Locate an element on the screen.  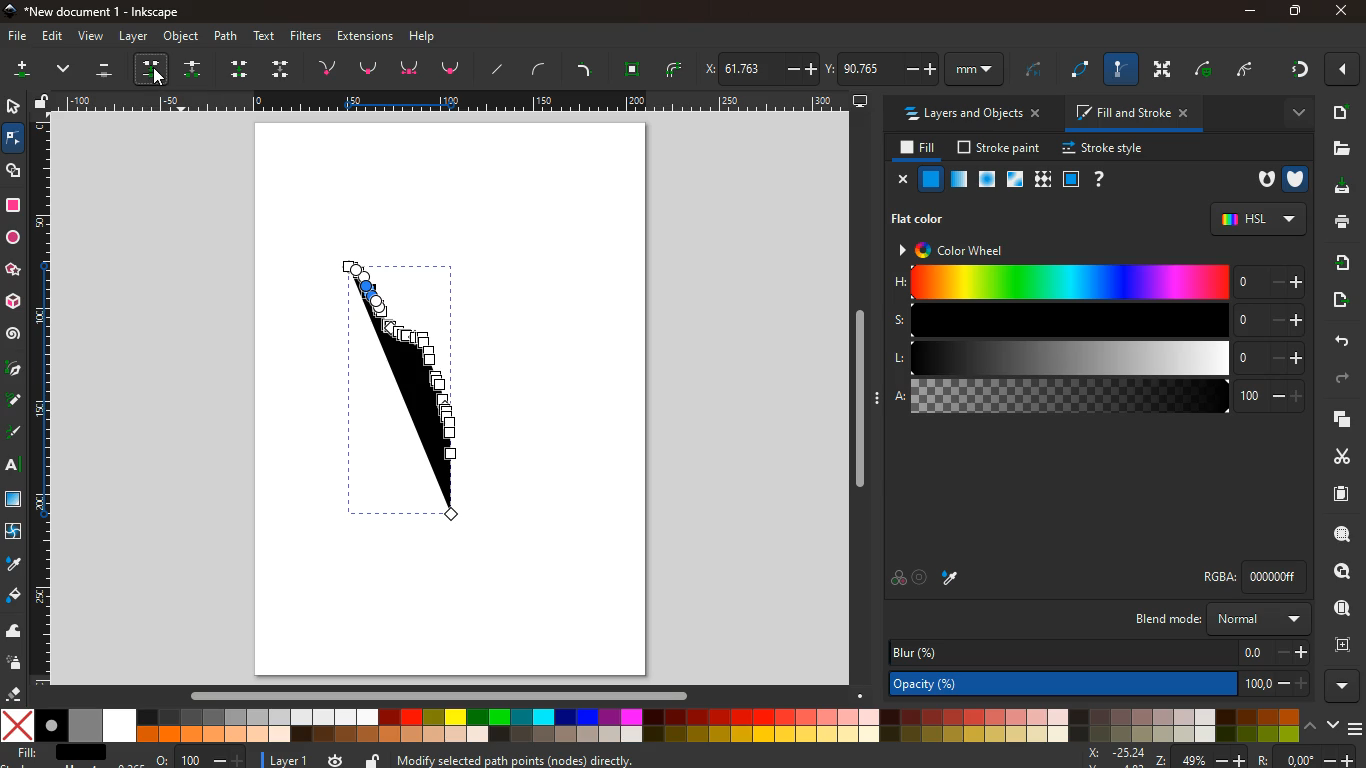
print is located at coordinates (1341, 223).